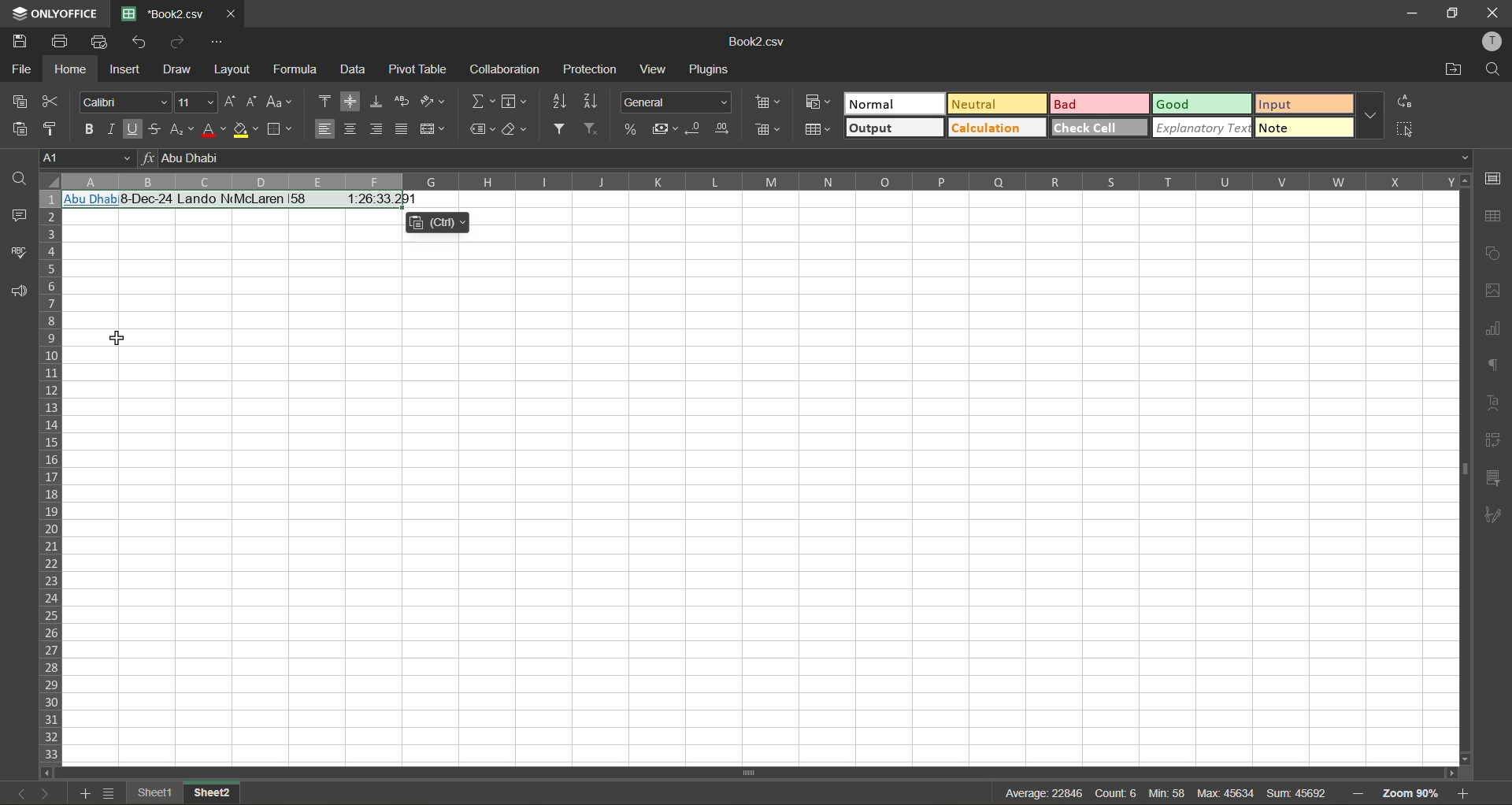  What do you see at coordinates (16, 294) in the screenshot?
I see `feedback` at bounding box center [16, 294].